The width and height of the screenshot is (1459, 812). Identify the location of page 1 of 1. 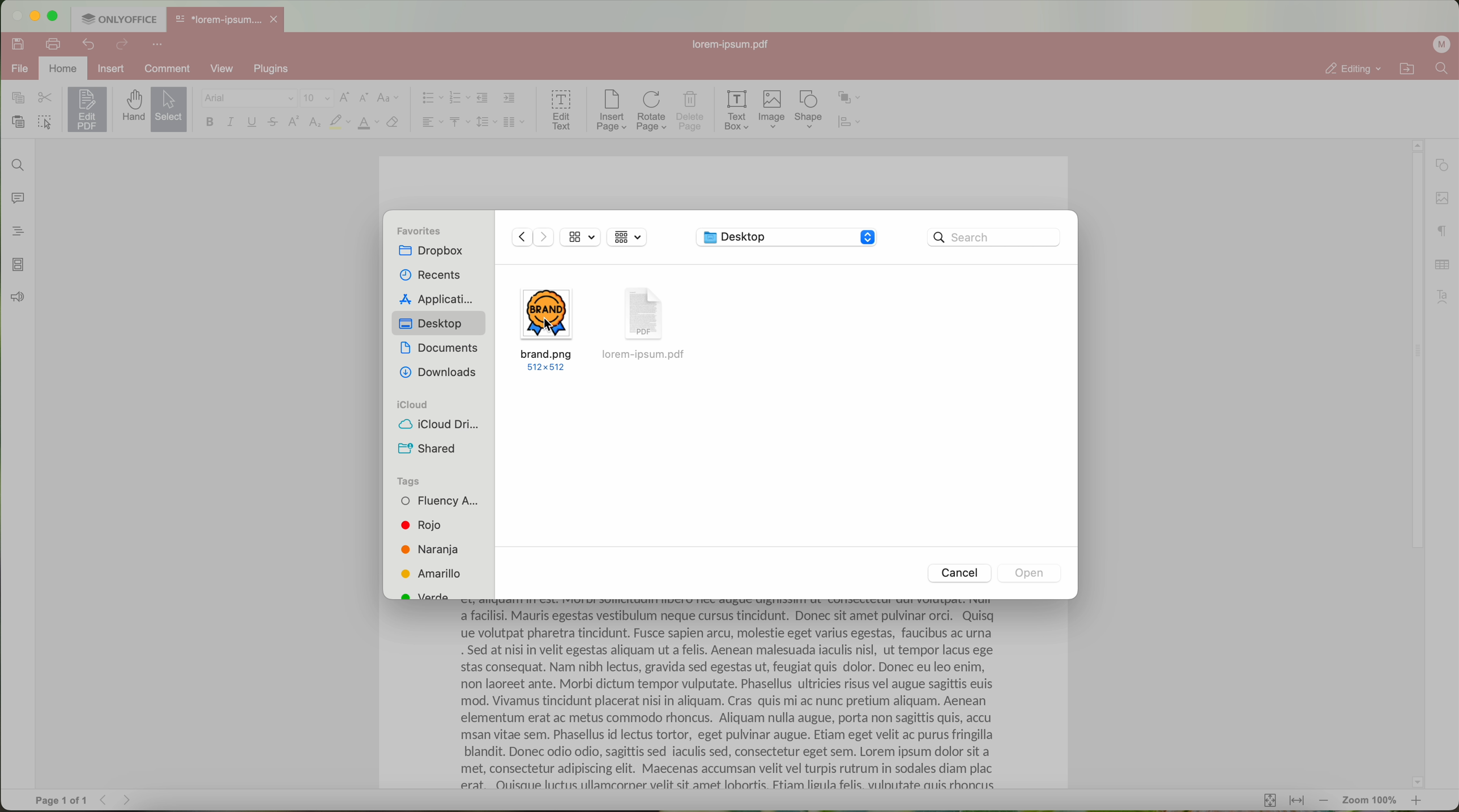
(61, 801).